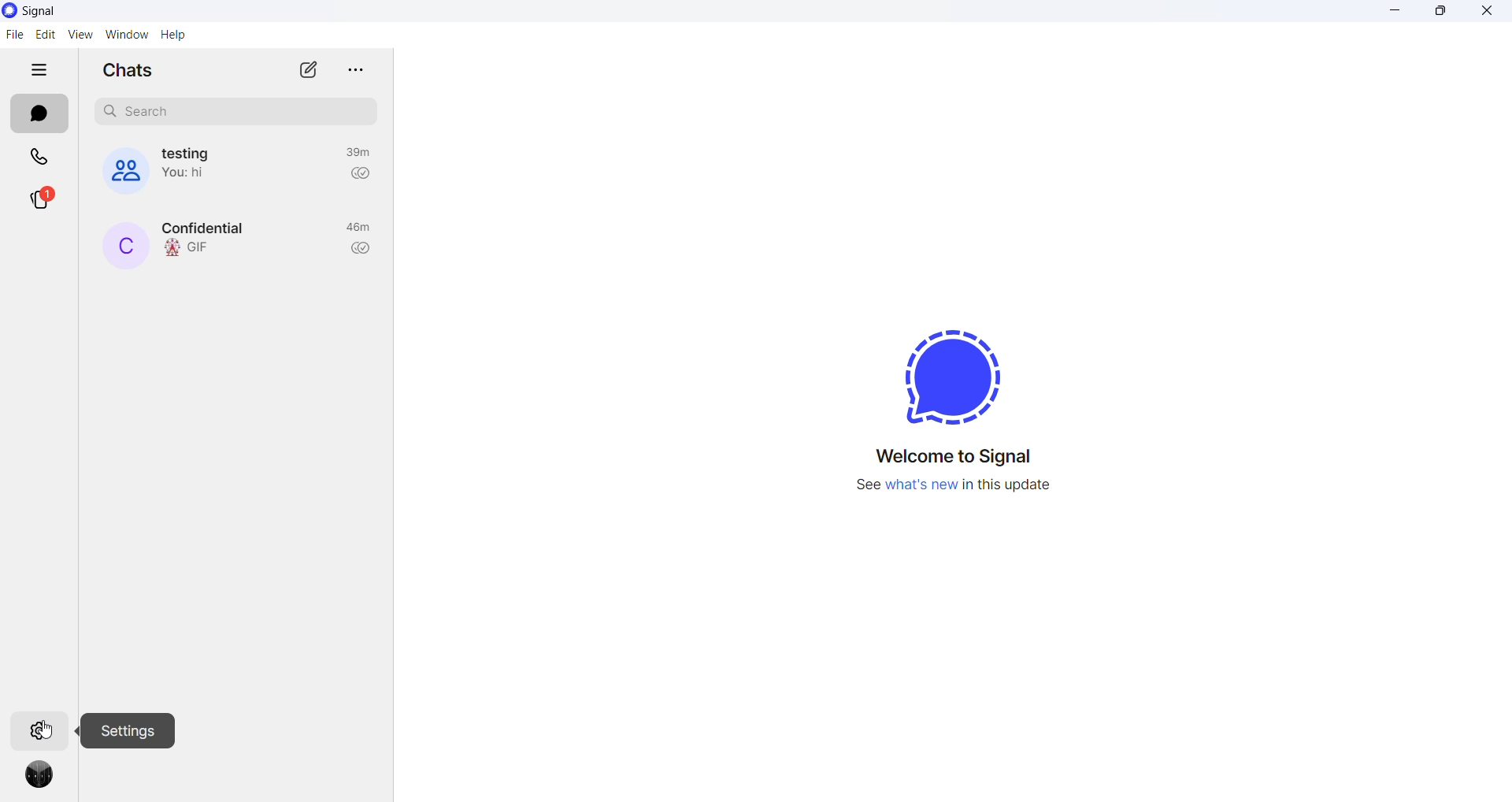 This screenshot has height=802, width=1512. Describe the element at coordinates (355, 152) in the screenshot. I see `last active time` at that location.